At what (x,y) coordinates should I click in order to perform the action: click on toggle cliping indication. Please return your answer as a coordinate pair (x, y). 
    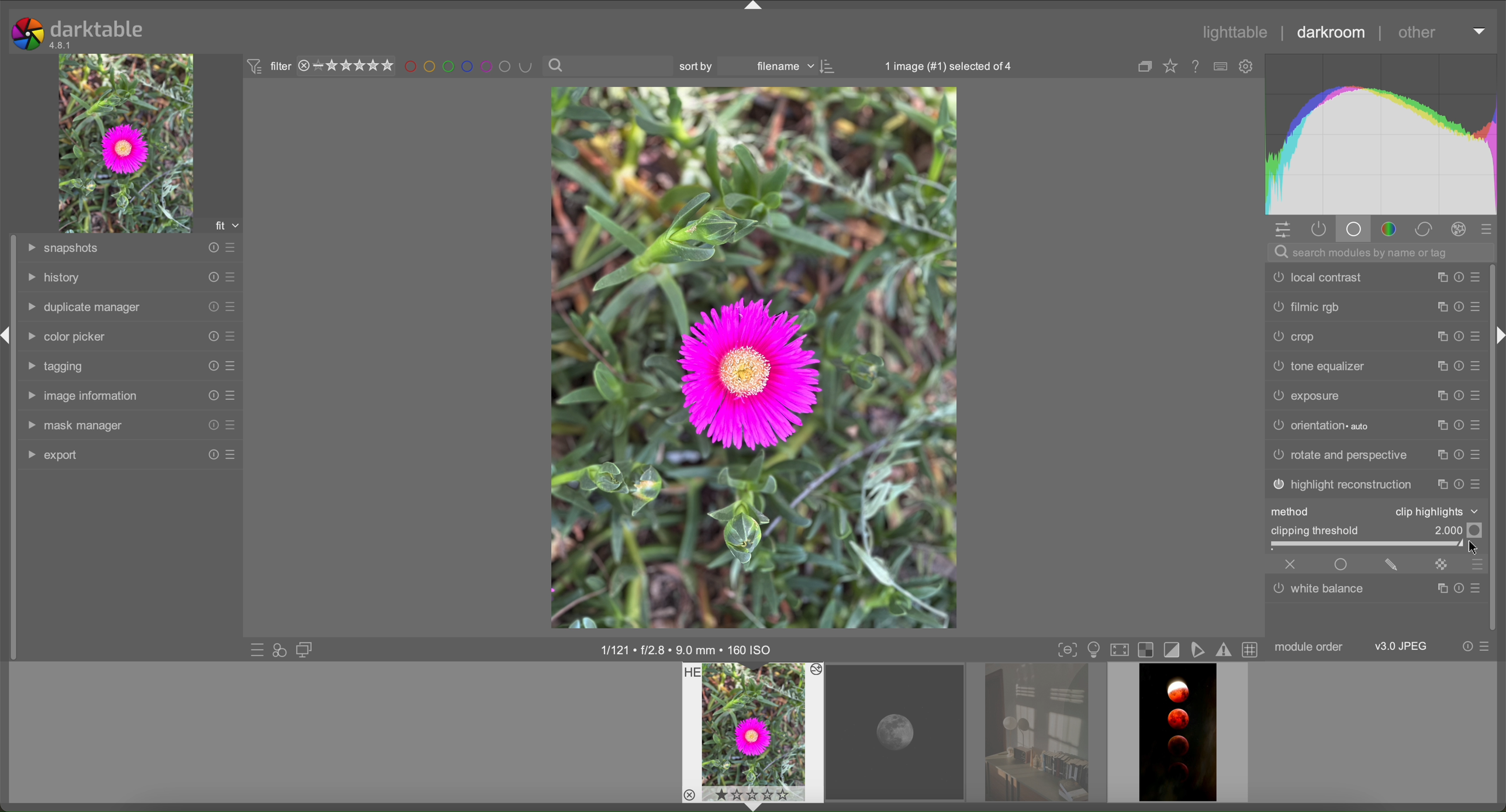
    Looking at the image, I should click on (1175, 650).